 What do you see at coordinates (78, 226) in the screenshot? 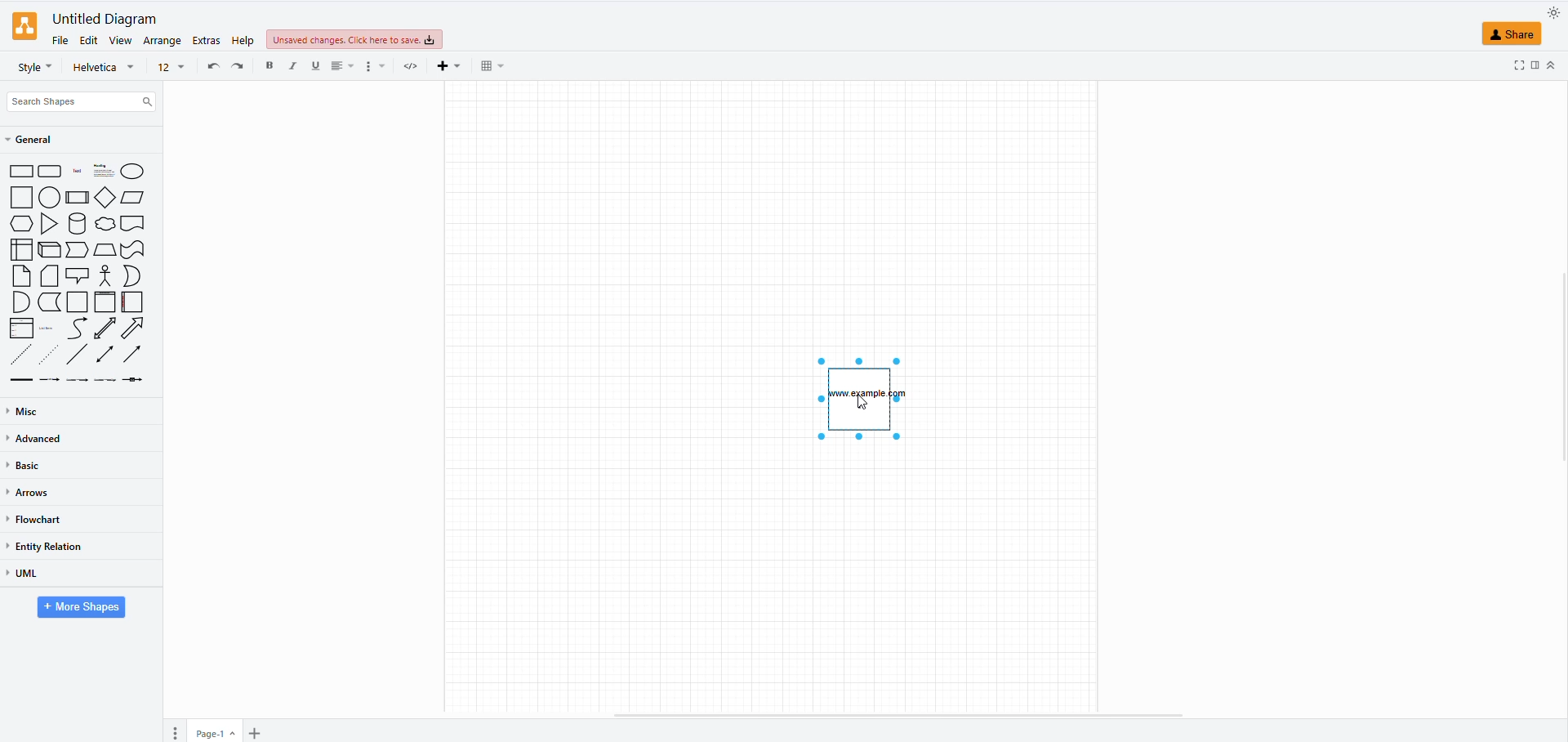
I see `cylinder` at bounding box center [78, 226].